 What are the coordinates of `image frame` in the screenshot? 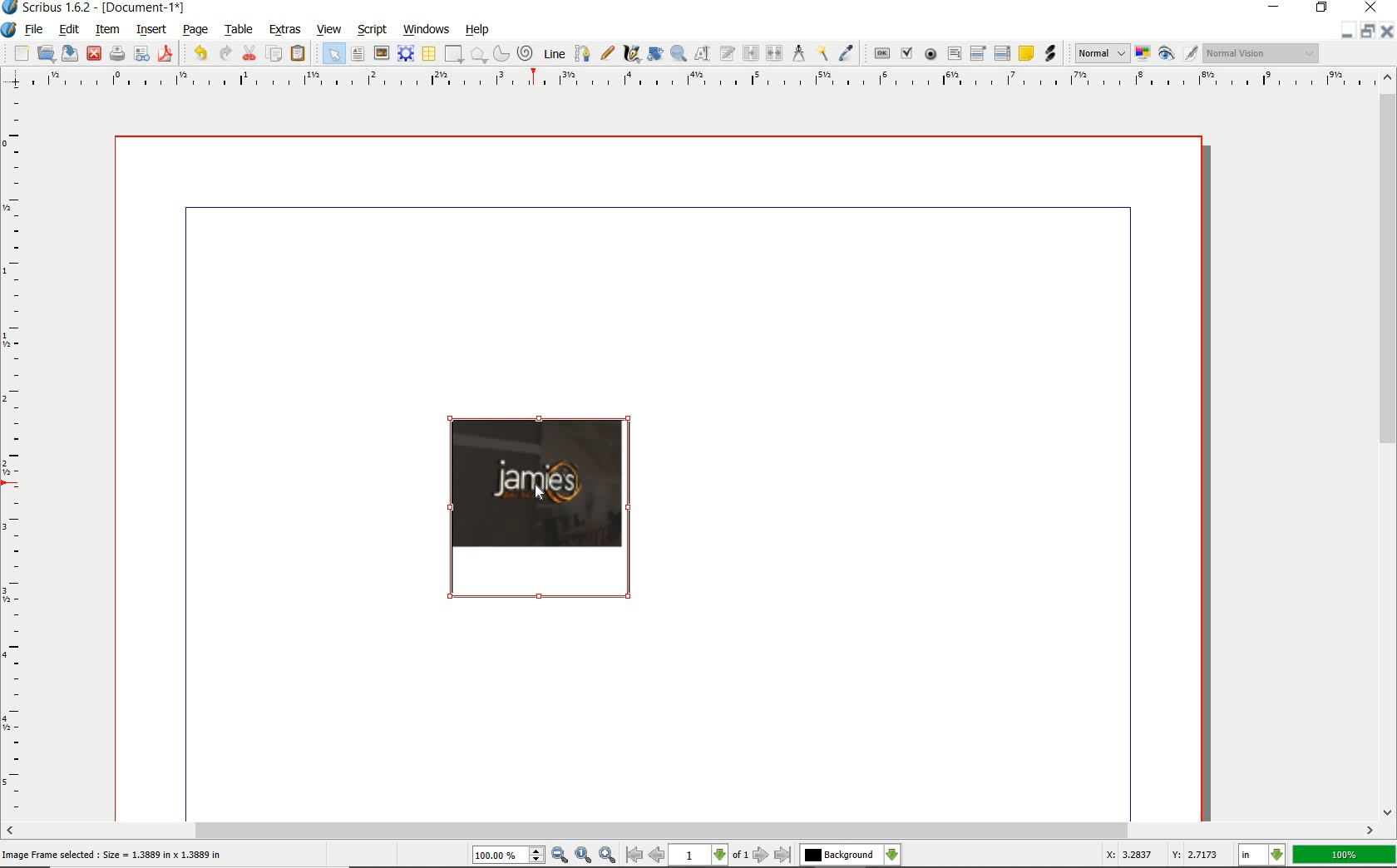 It's located at (381, 53).